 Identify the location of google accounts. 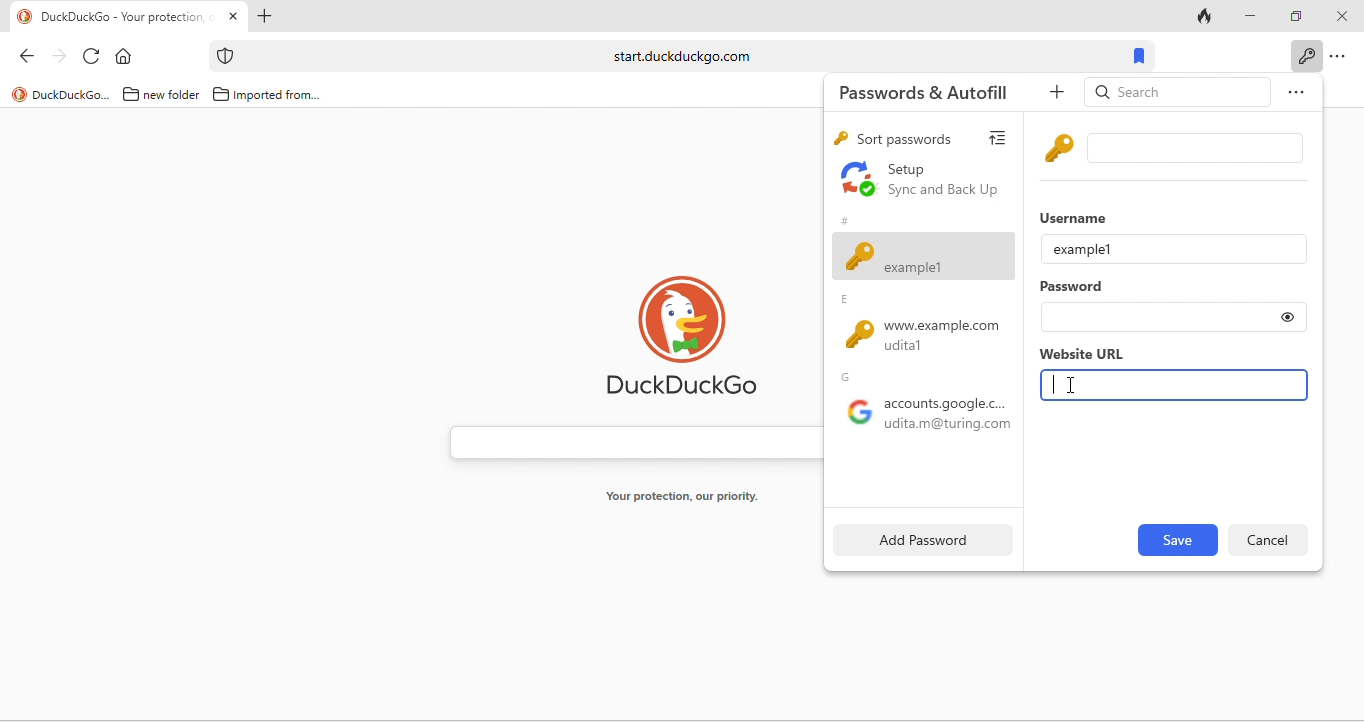
(923, 418).